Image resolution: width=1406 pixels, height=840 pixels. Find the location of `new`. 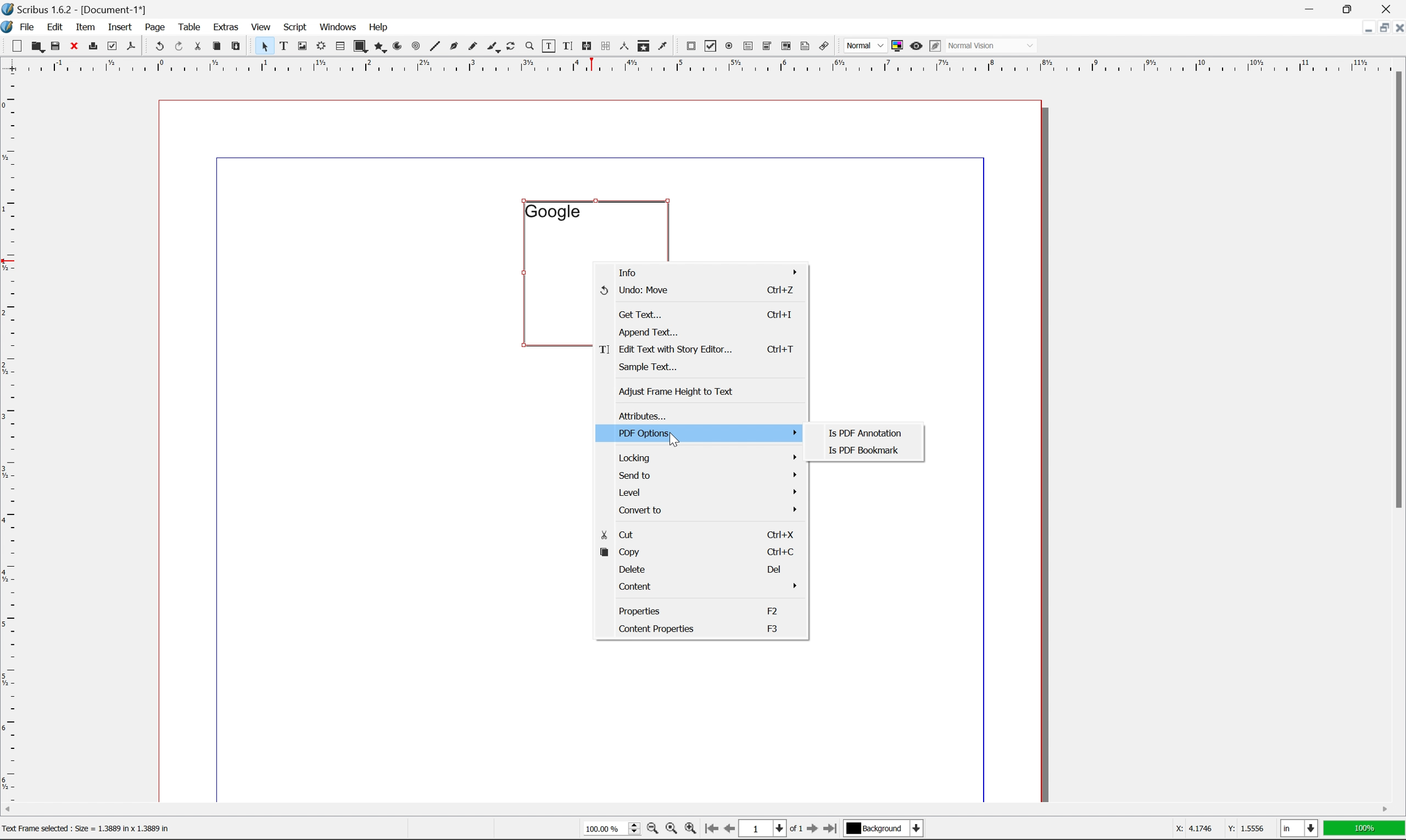

new is located at coordinates (18, 46).